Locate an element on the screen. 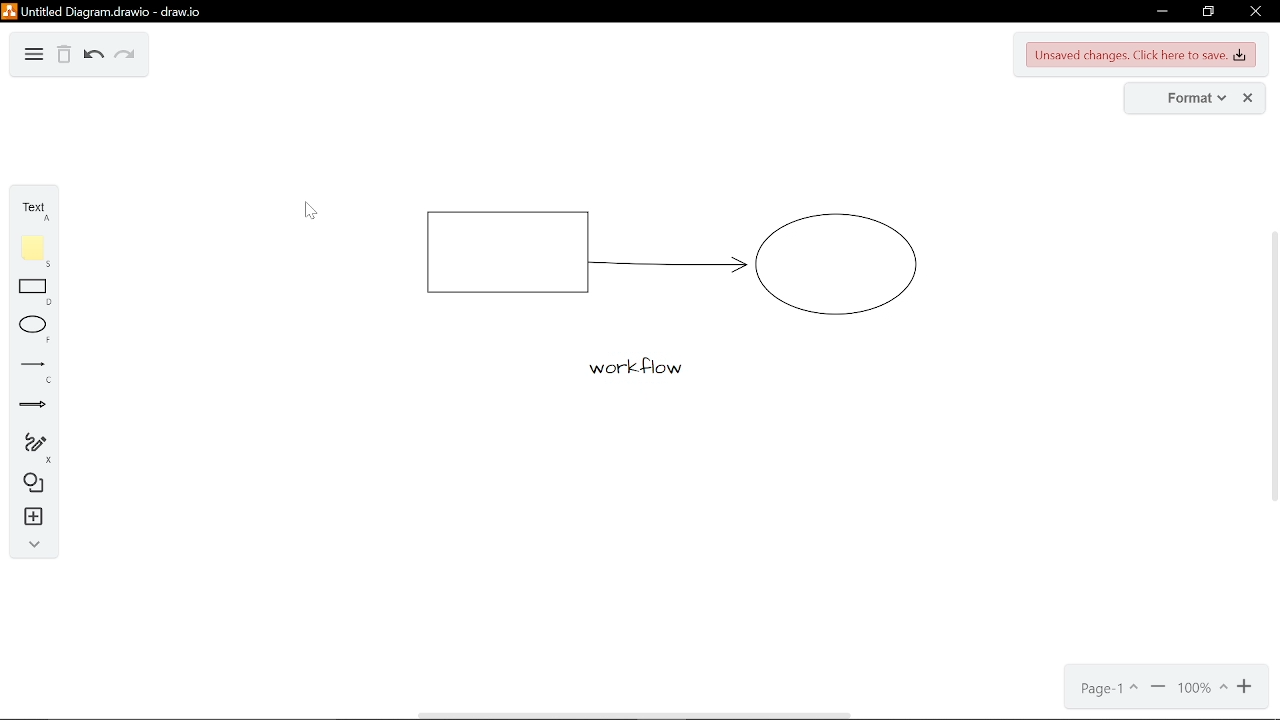 This screenshot has height=720, width=1280. undo is located at coordinates (94, 56).